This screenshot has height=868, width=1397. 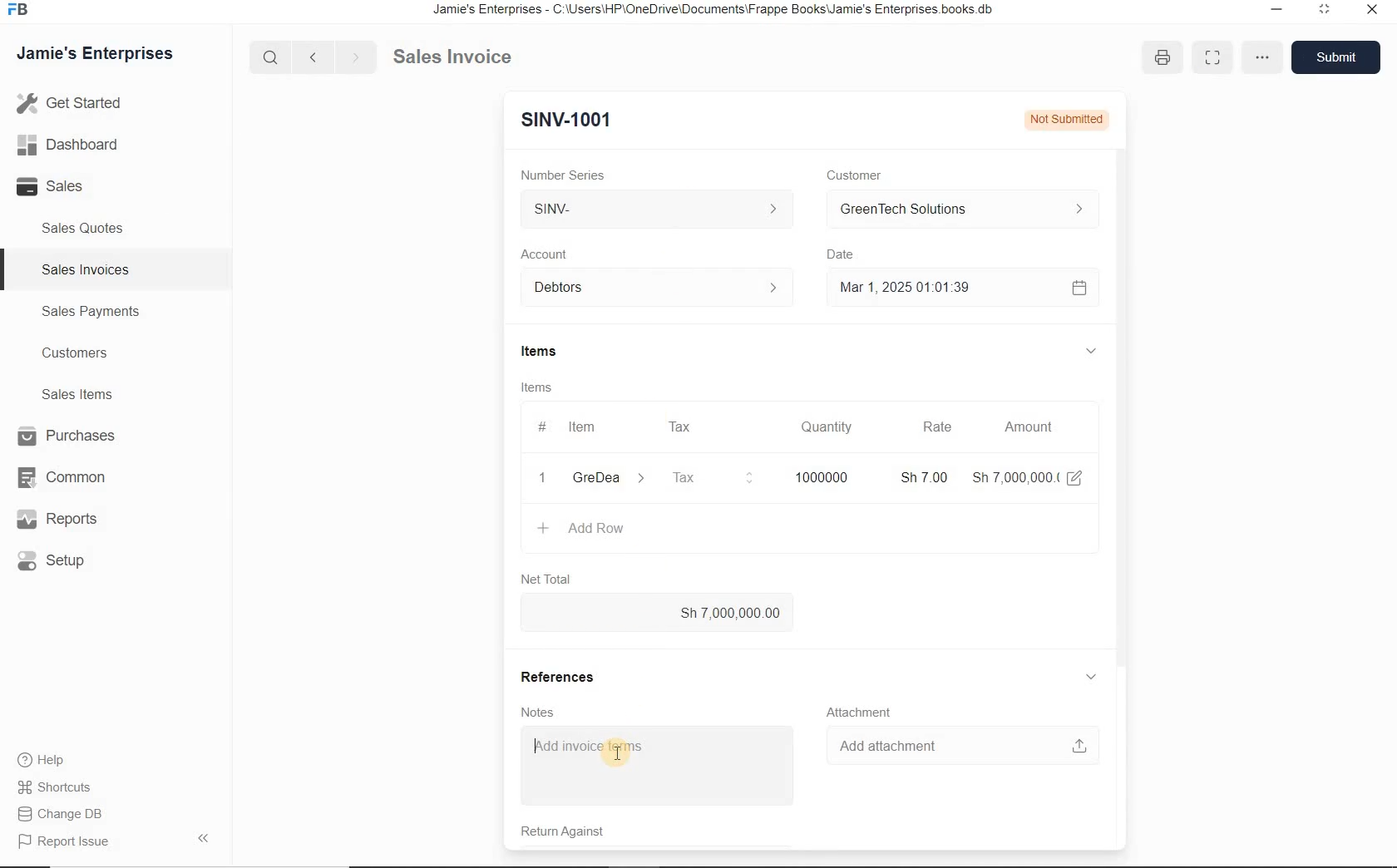 I want to click on SINV-1001, so click(x=562, y=119).